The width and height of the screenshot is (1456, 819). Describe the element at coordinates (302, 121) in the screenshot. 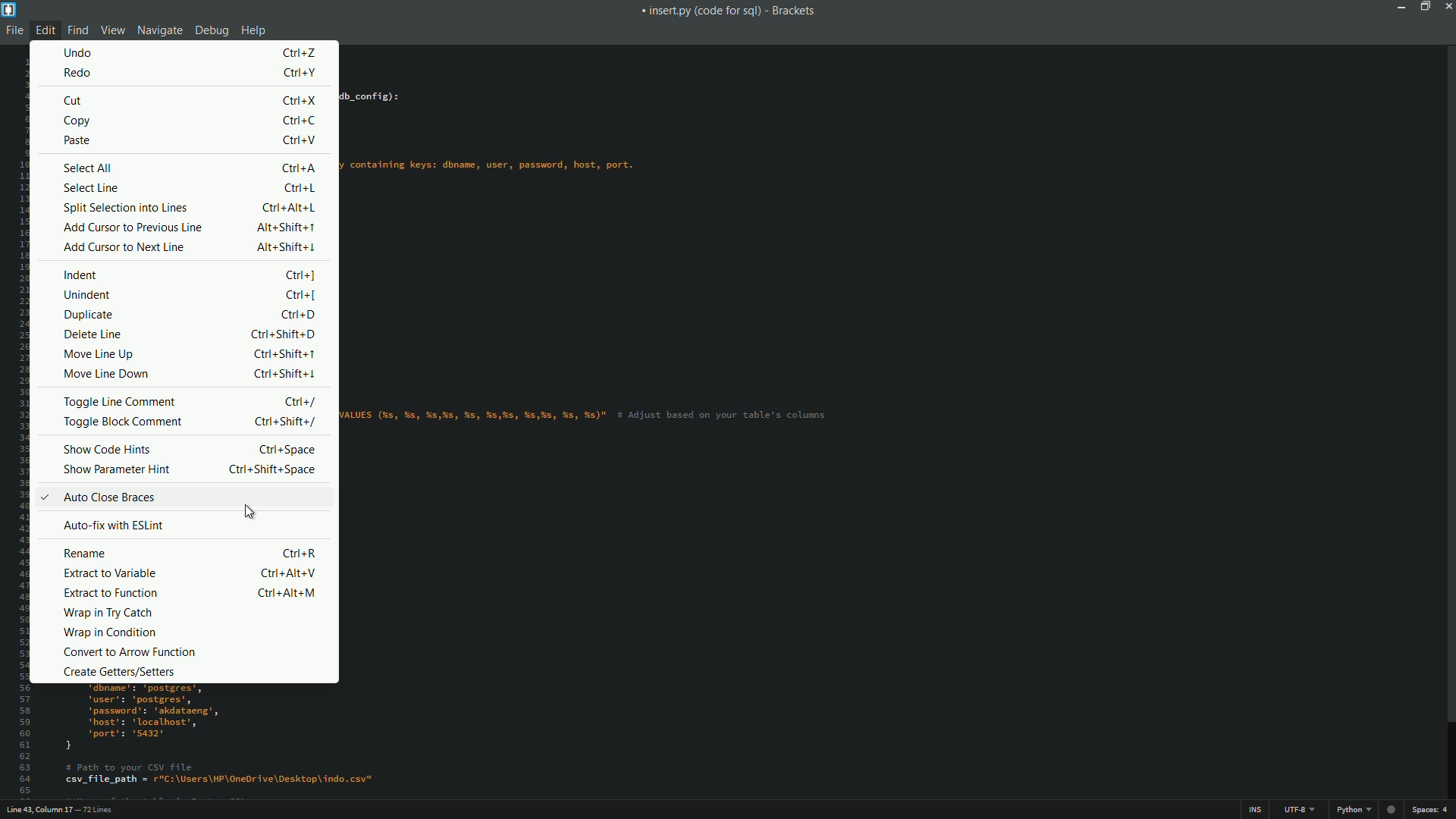

I see `keyboard shortcut` at that location.